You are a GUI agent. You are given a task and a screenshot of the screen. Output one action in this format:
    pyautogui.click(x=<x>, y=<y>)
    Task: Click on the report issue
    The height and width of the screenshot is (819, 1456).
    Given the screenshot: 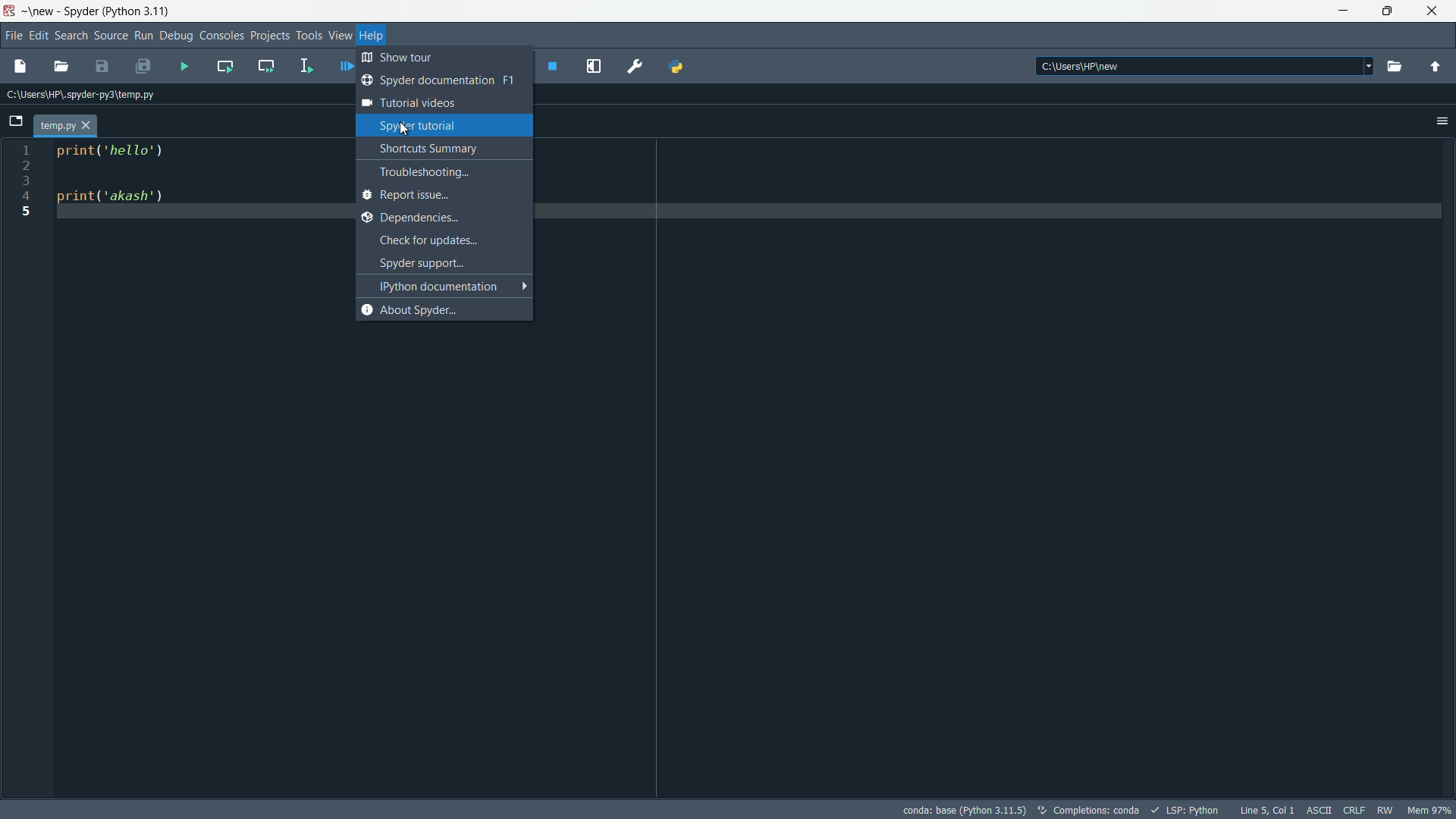 What is the action you would take?
    pyautogui.click(x=440, y=195)
    